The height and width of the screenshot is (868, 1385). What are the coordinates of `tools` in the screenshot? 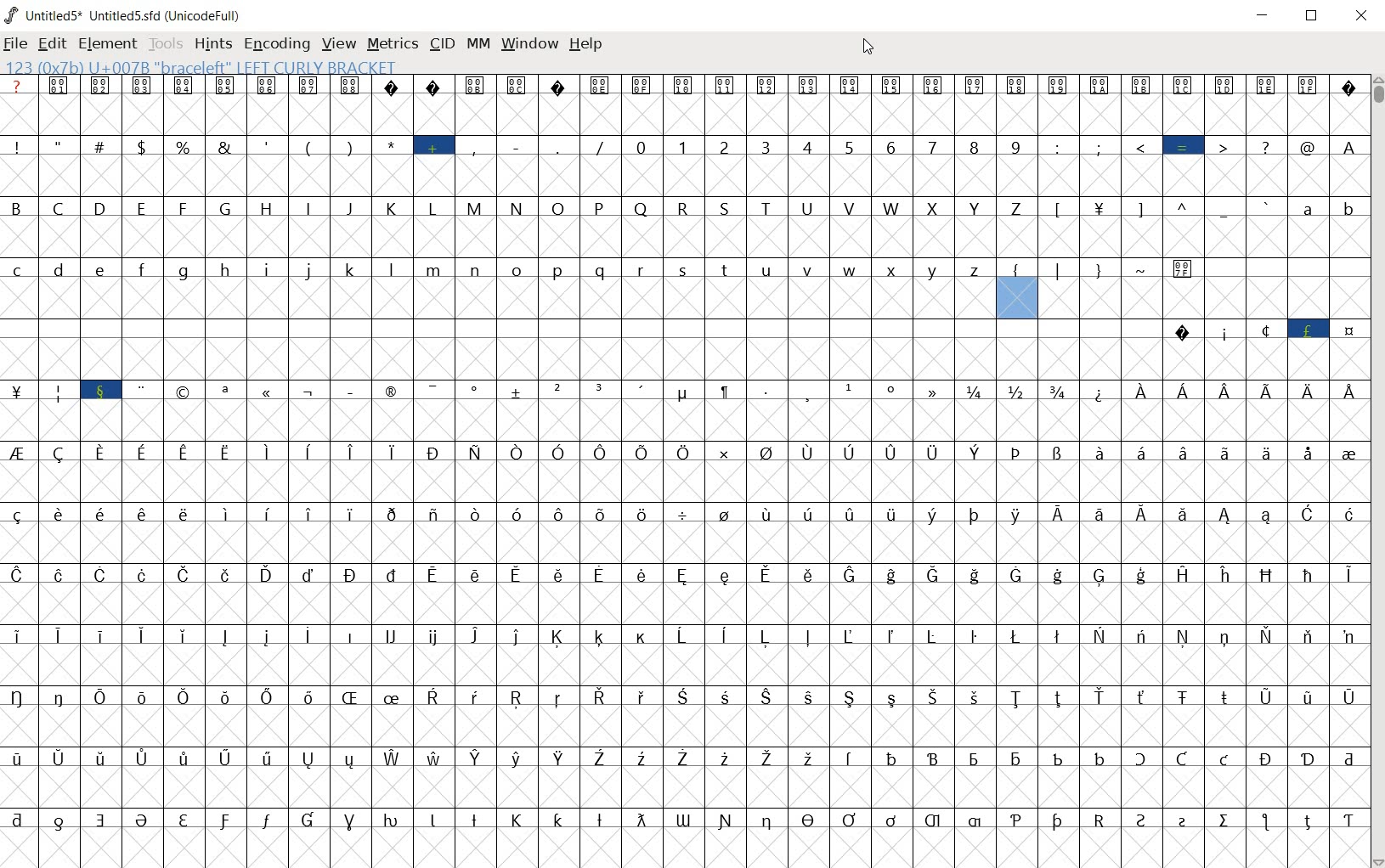 It's located at (166, 45).